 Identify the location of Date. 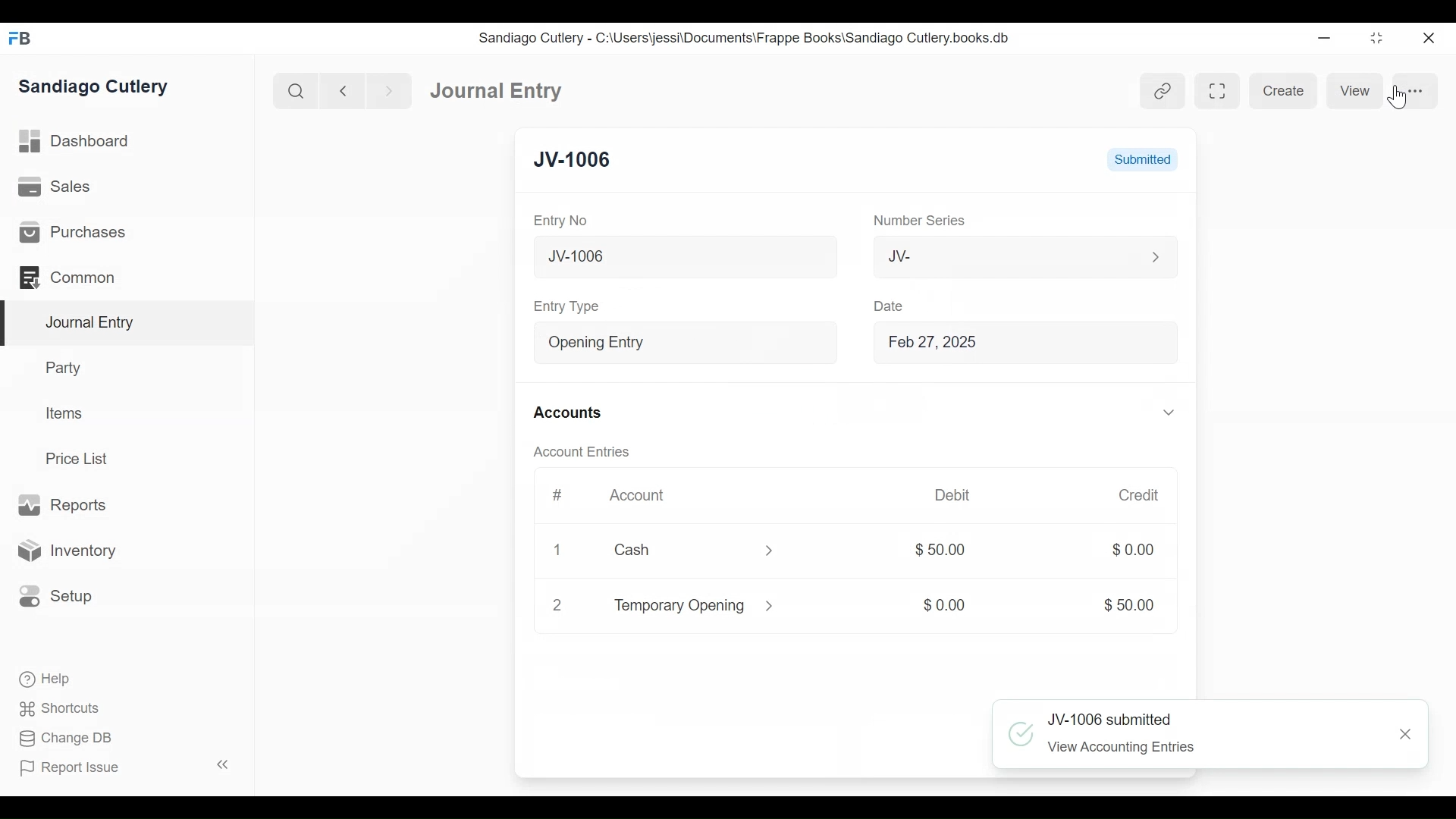
(886, 306).